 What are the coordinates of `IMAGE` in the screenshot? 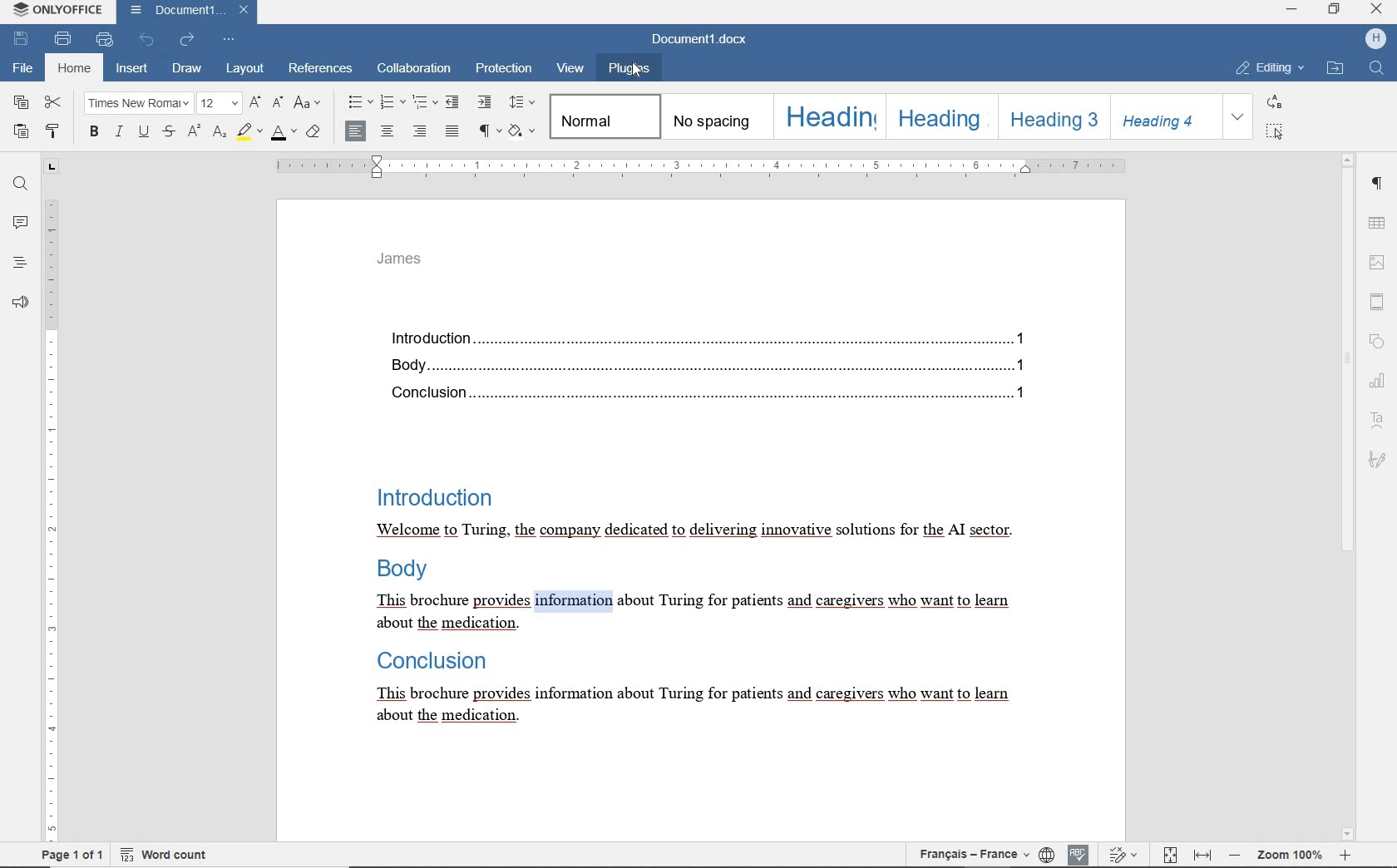 It's located at (1379, 262).